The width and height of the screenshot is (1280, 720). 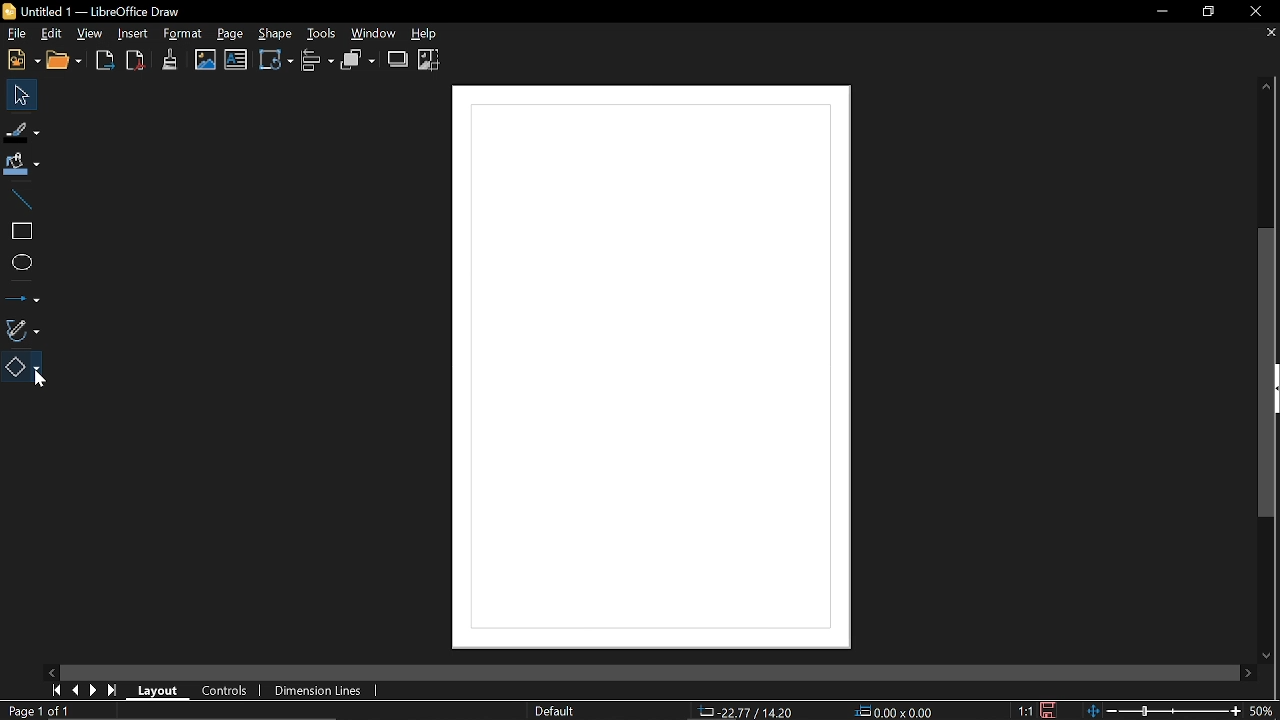 I want to click on View, so click(x=90, y=33).